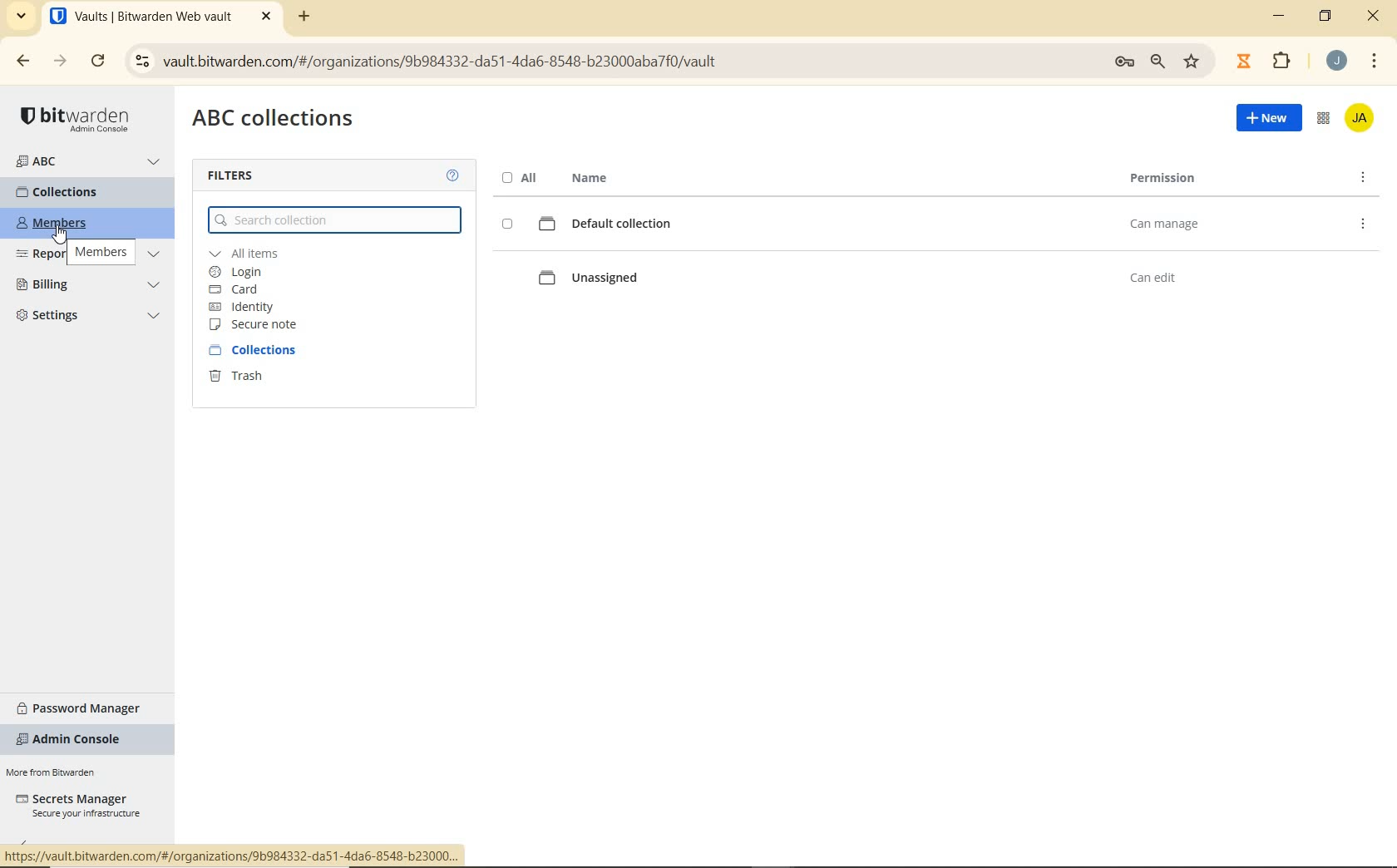  I want to click on PERMISSION, so click(1163, 180).